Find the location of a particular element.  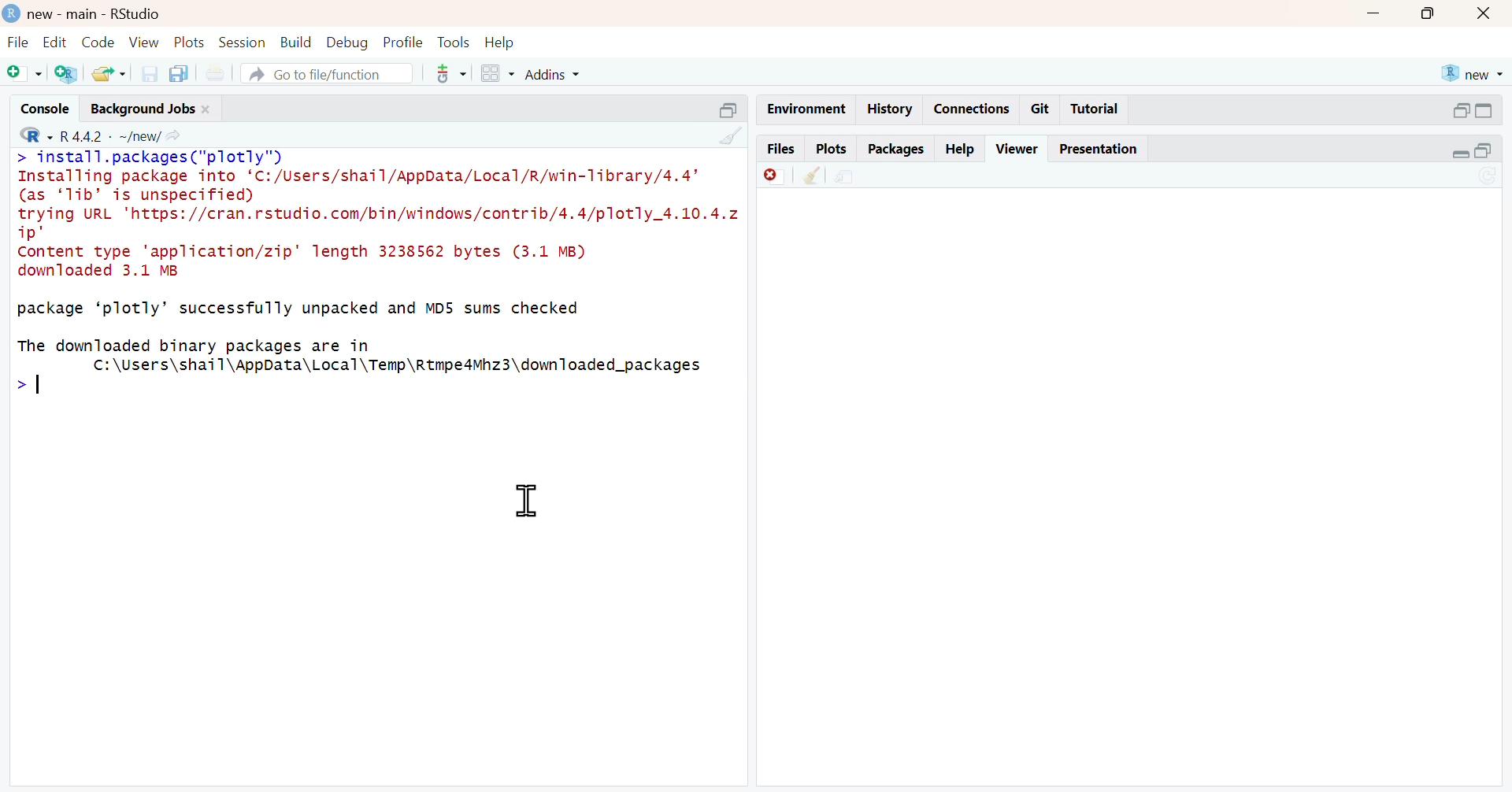

git pane is located at coordinates (451, 76).